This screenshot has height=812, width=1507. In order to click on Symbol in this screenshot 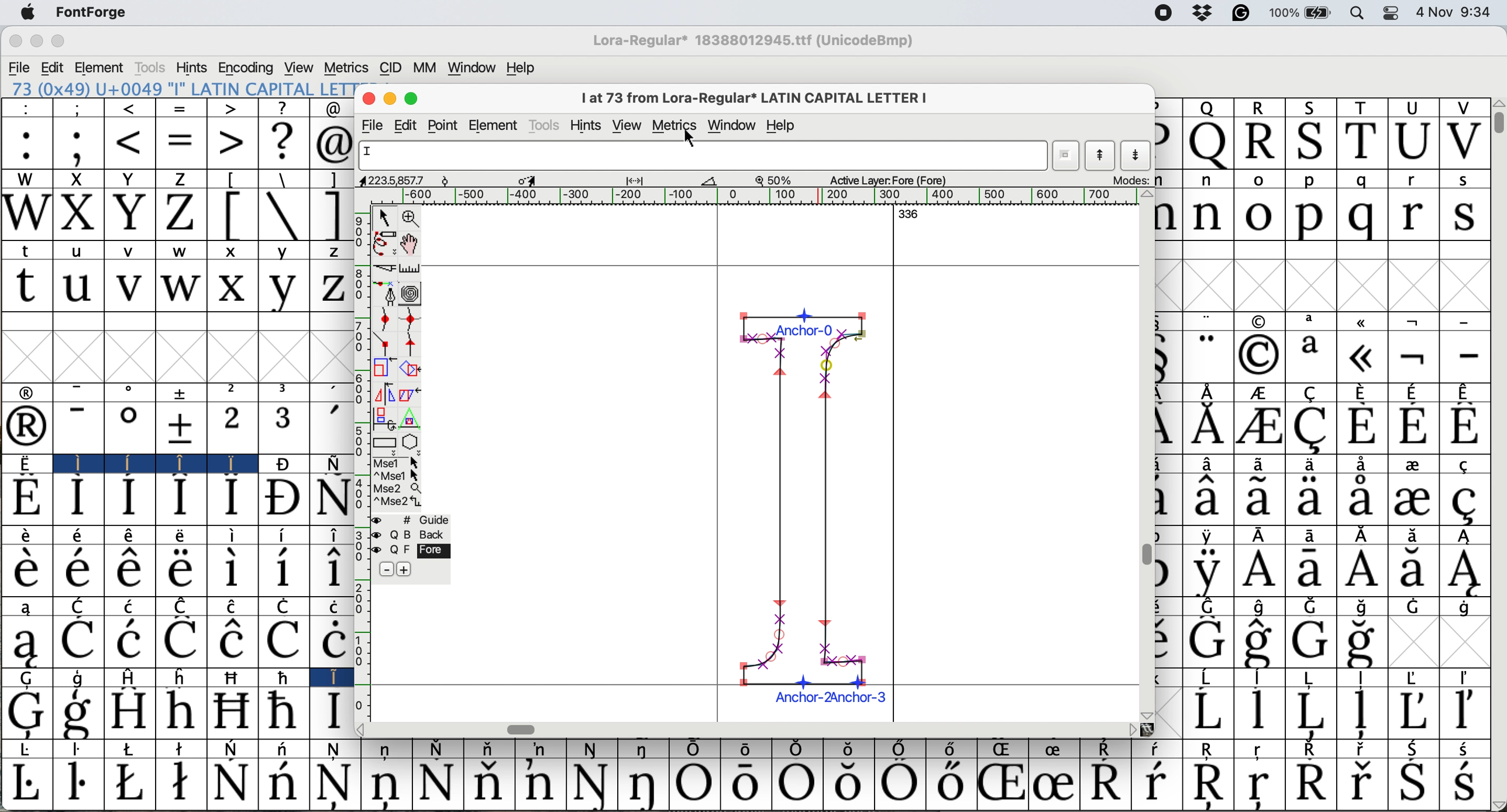, I will do `click(949, 785)`.